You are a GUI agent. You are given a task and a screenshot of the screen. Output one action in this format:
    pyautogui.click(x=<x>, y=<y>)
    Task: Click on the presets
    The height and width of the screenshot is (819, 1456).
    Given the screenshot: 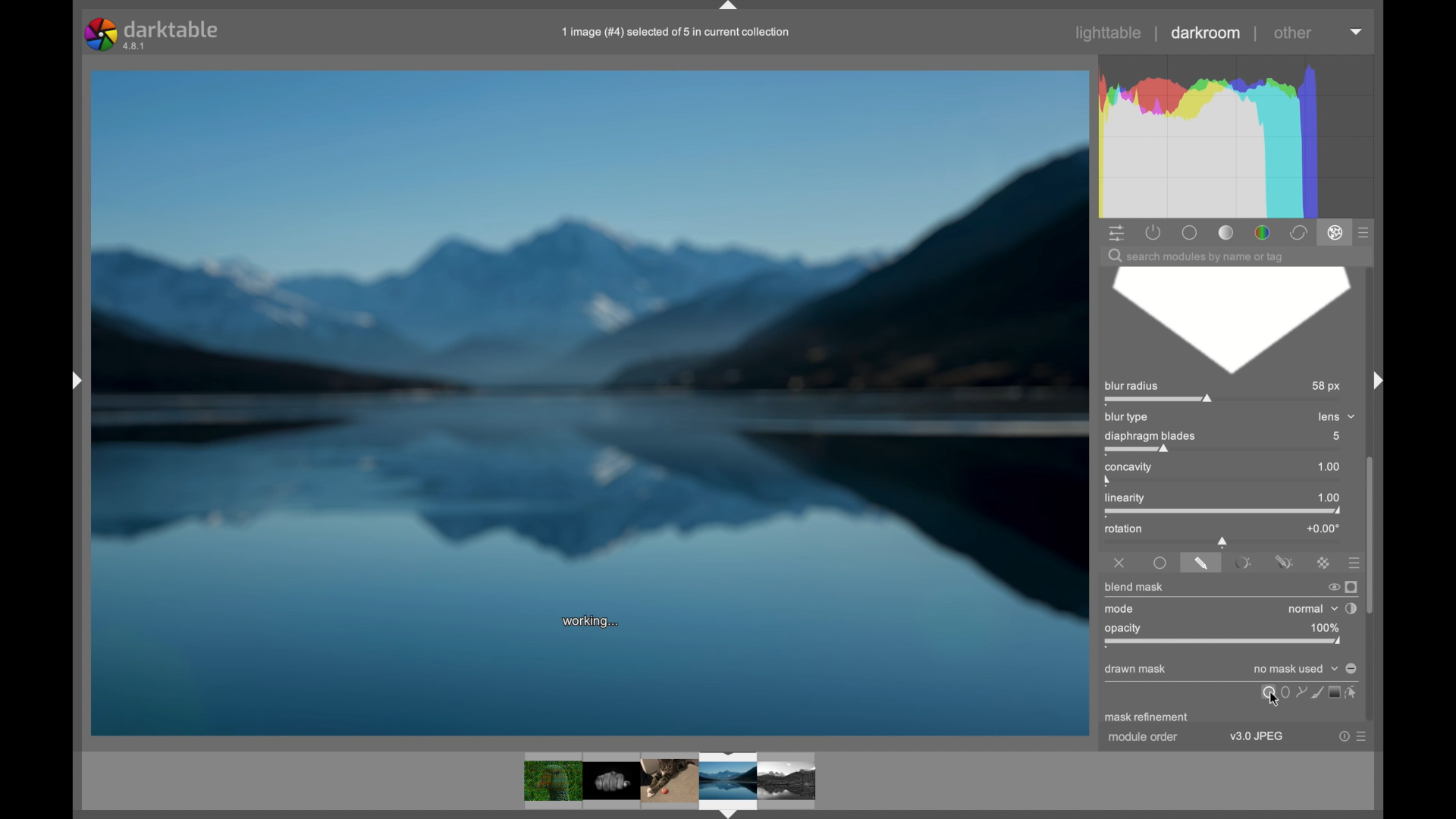 What is the action you would take?
    pyautogui.click(x=1365, y=232)
    